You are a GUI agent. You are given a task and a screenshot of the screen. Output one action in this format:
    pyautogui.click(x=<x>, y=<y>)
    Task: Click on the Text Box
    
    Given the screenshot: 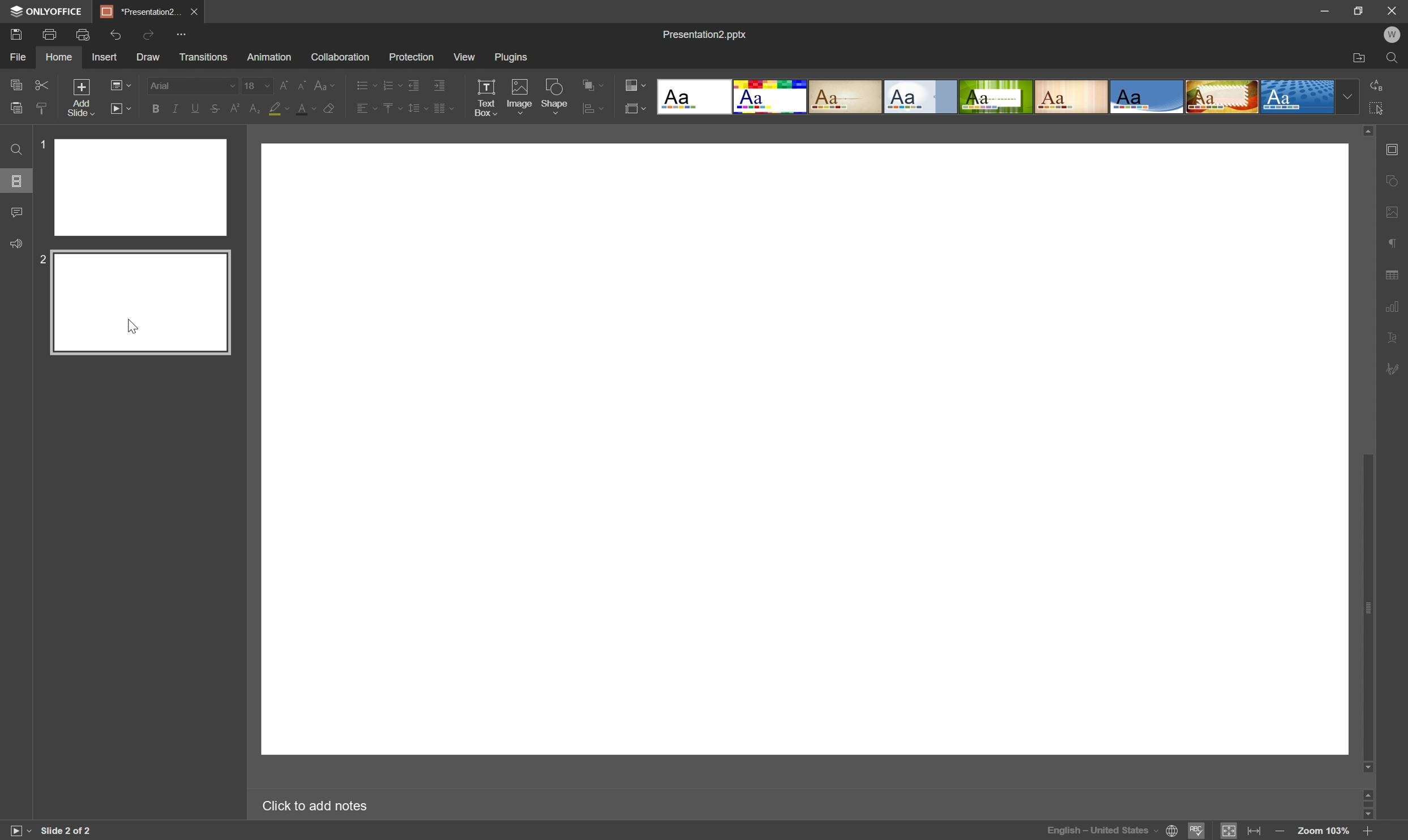 What is the action you would take?
    pyautogui.click(x=489, y=96)
    